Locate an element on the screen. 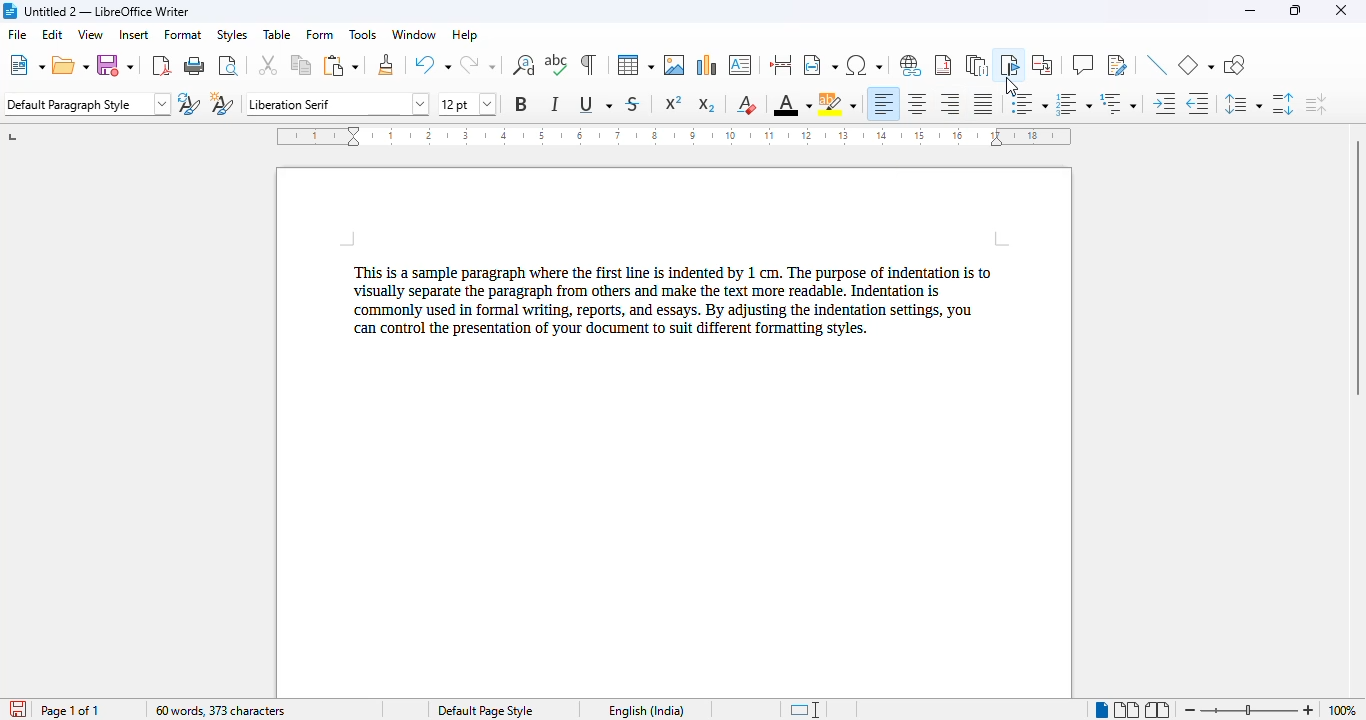  insert special characters is located at coordinates (863, 65).